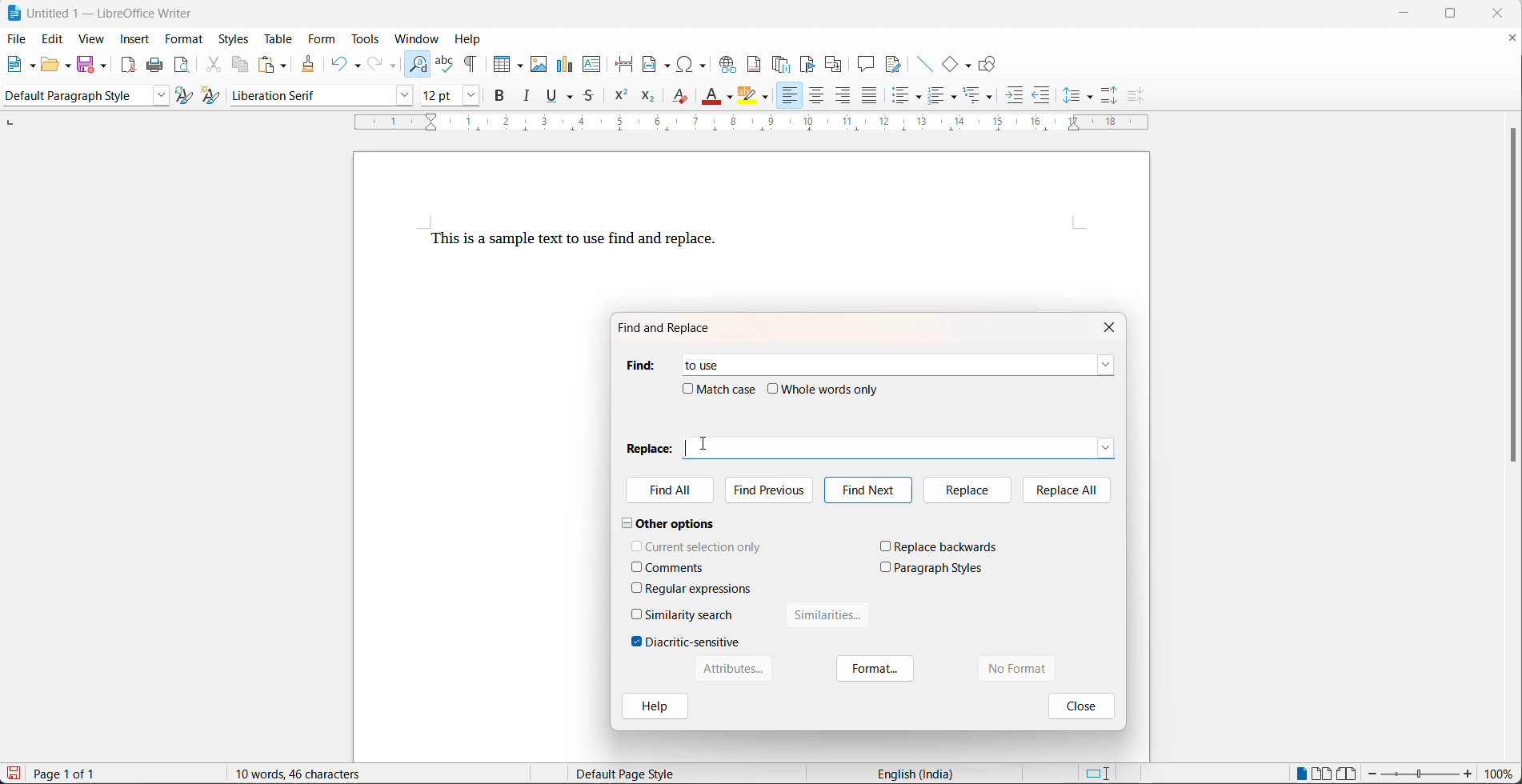 This screenshot has height=784, width=1522. What do you see at coordinates (658, 65) in the screenshot?
I see `insert field` at bounding box center [658, 65].